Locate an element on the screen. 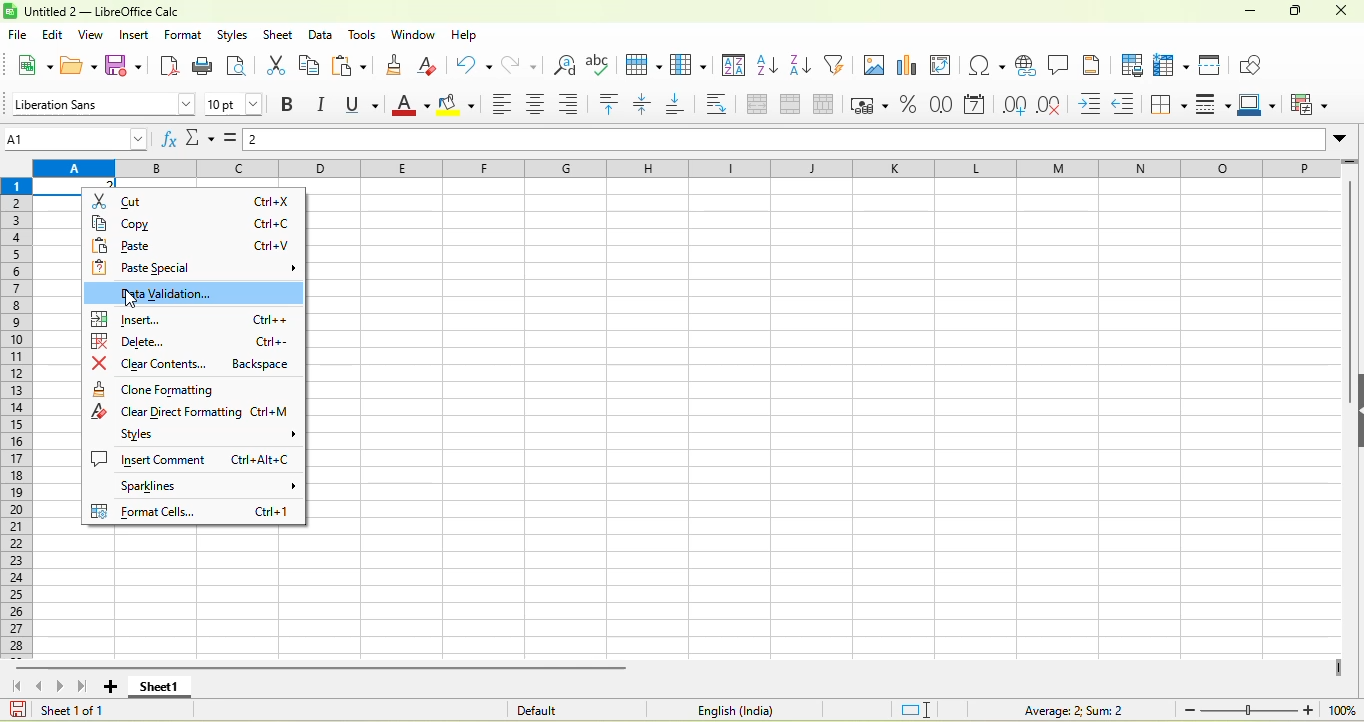 This screenshot has width=1364, height=722. insert is located at coordinates (137, 35).